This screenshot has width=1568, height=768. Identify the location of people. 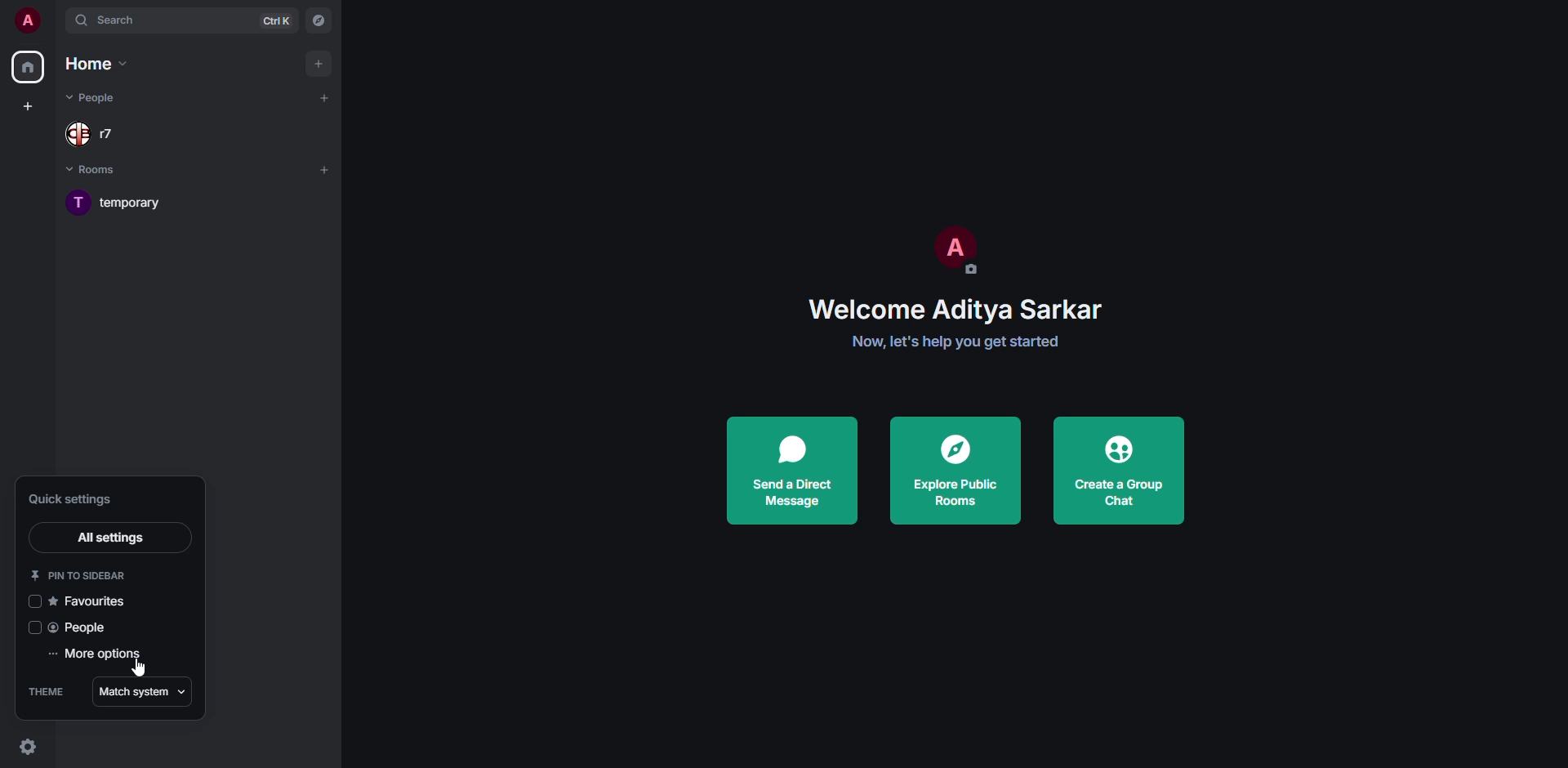
(95, 98).